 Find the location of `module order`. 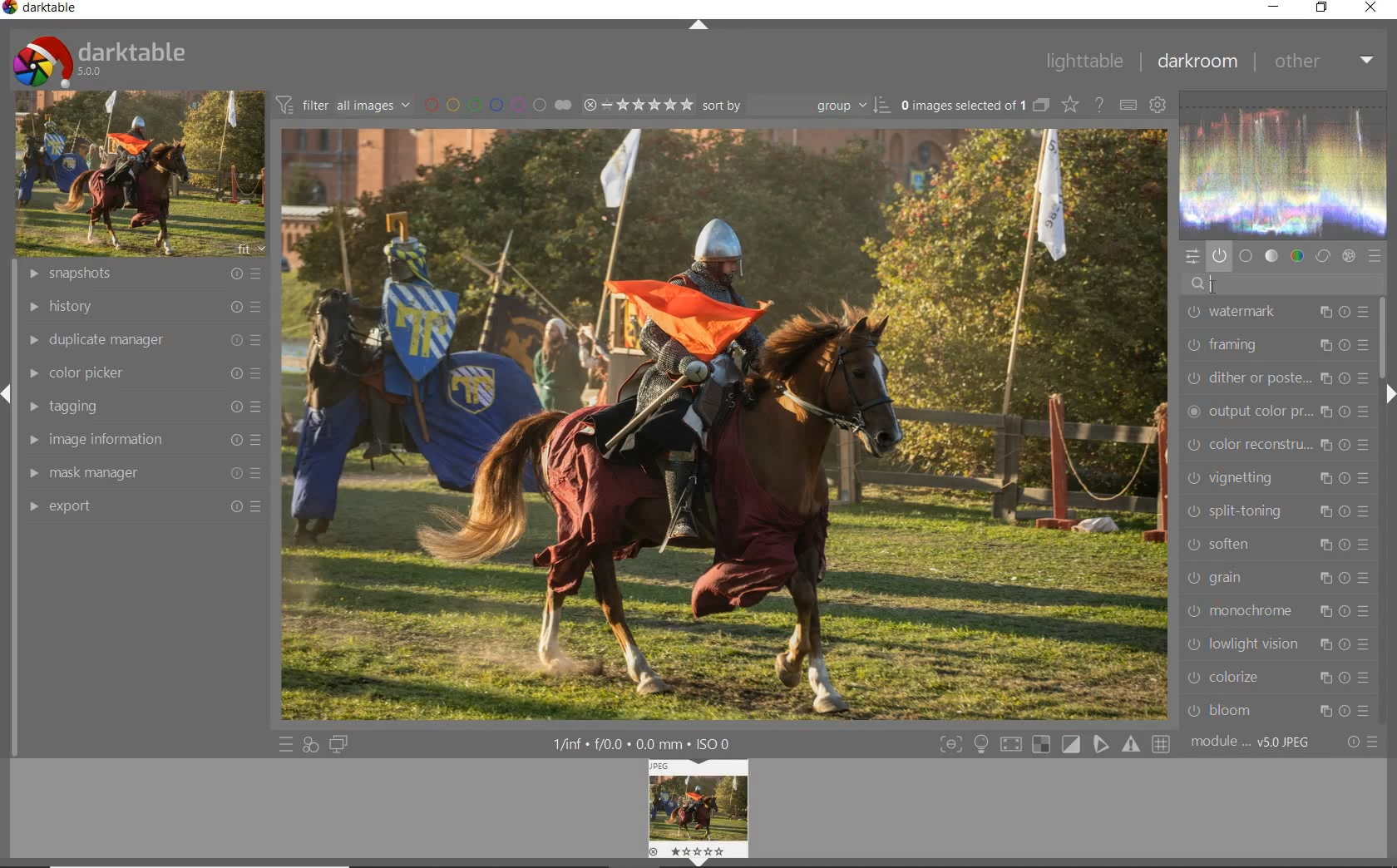

module order is located at coordinates (1258, 742).